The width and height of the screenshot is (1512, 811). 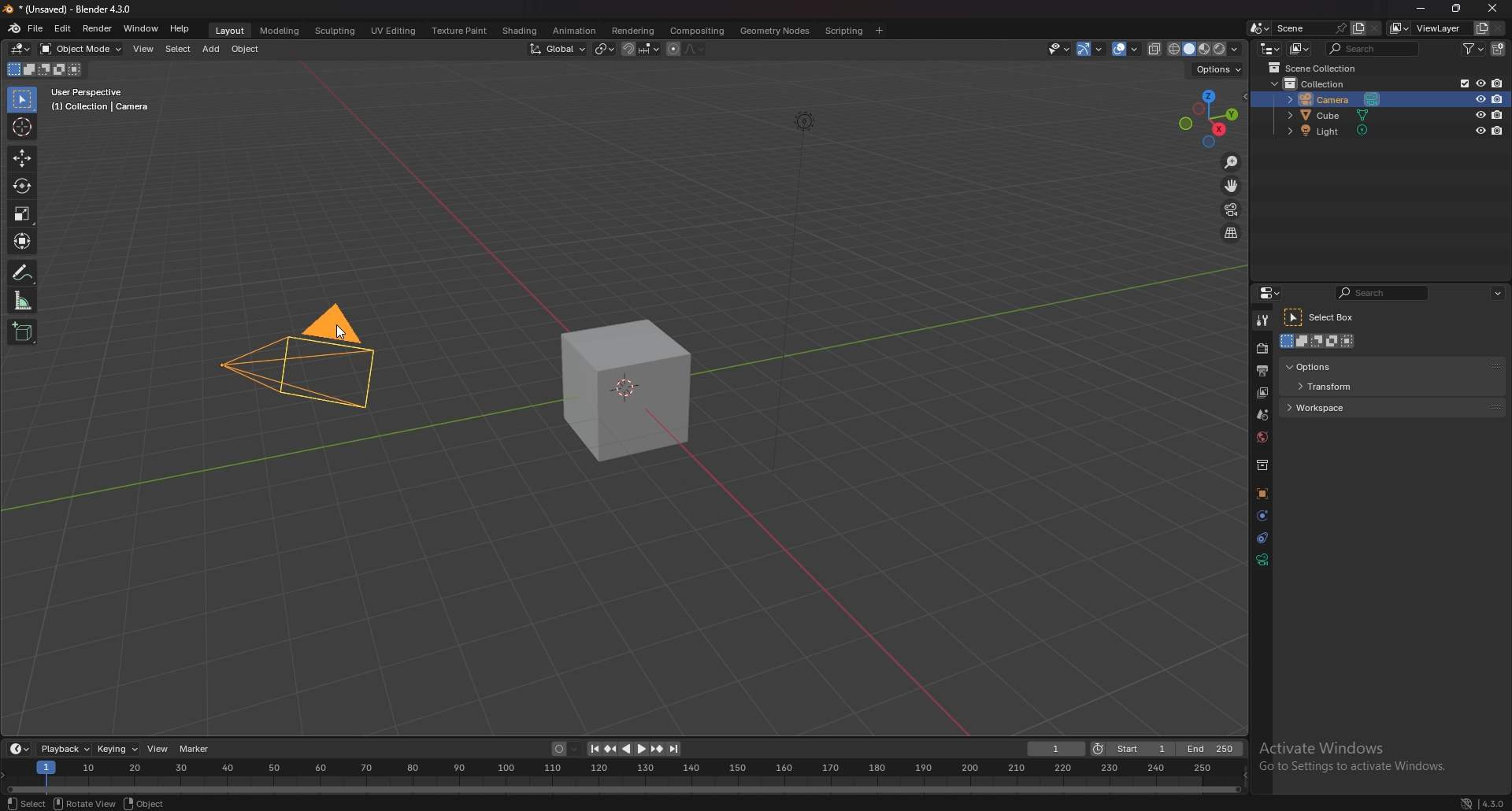 I want to click on scripting, so click(x=843, y=31).